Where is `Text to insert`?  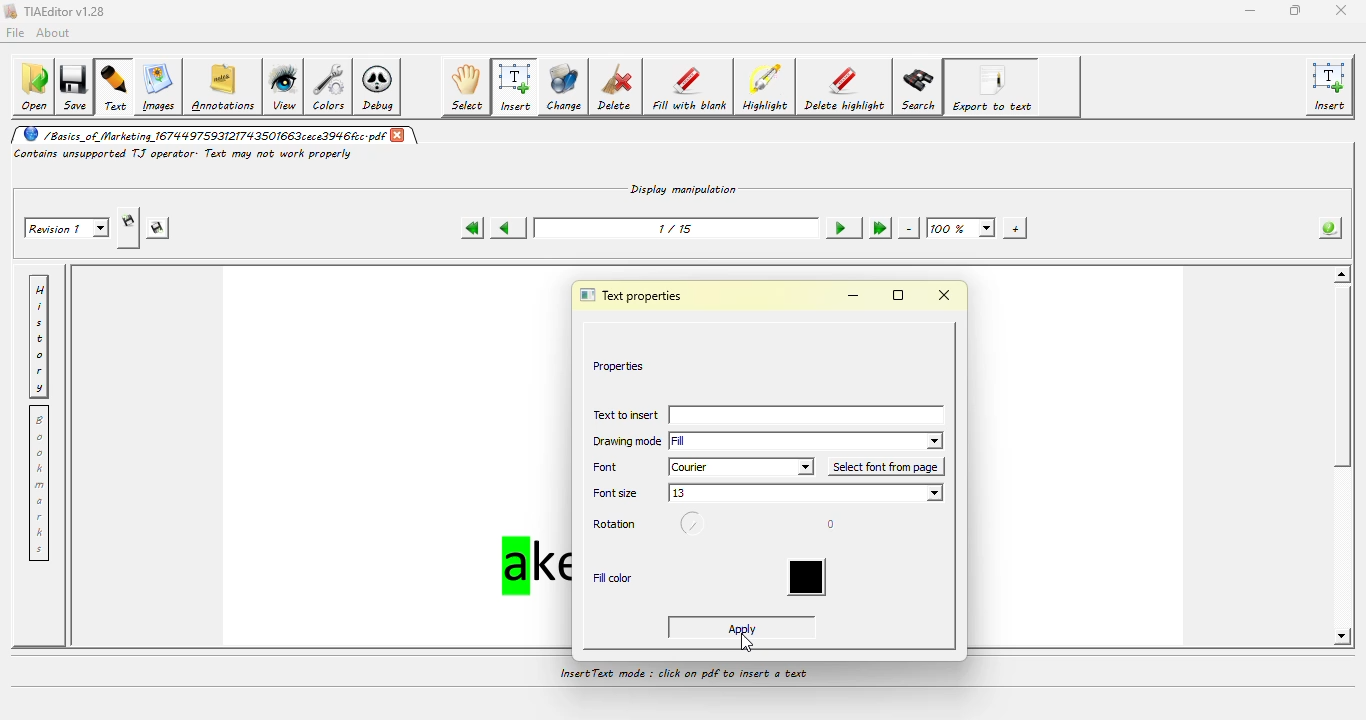
Text to insert is located at coordinates (624, 417).